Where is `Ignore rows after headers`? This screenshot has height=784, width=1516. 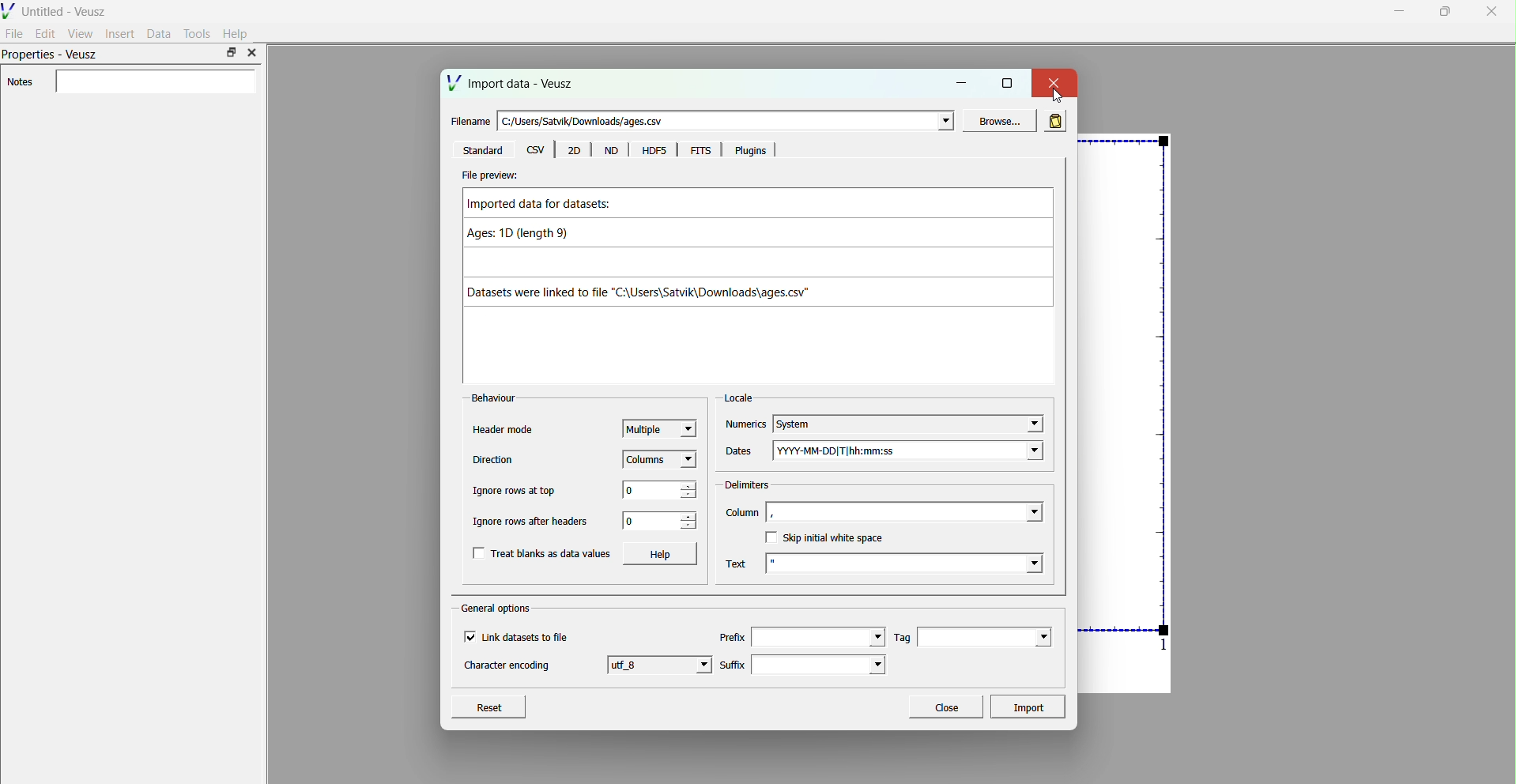
Ignore rows after headers is located at coordinates (534, 522).